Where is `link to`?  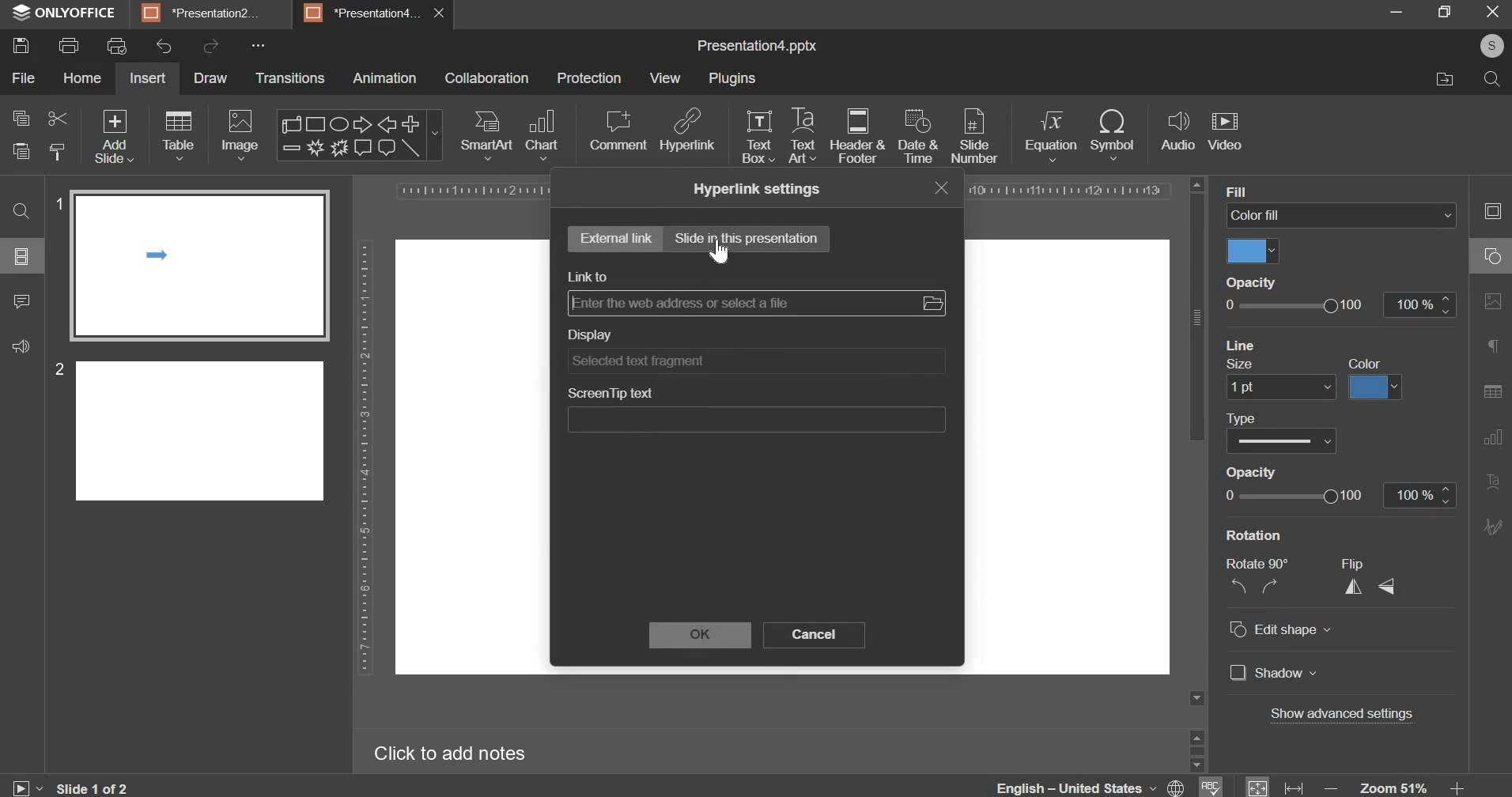
link to is located at coordinates (592, 274).